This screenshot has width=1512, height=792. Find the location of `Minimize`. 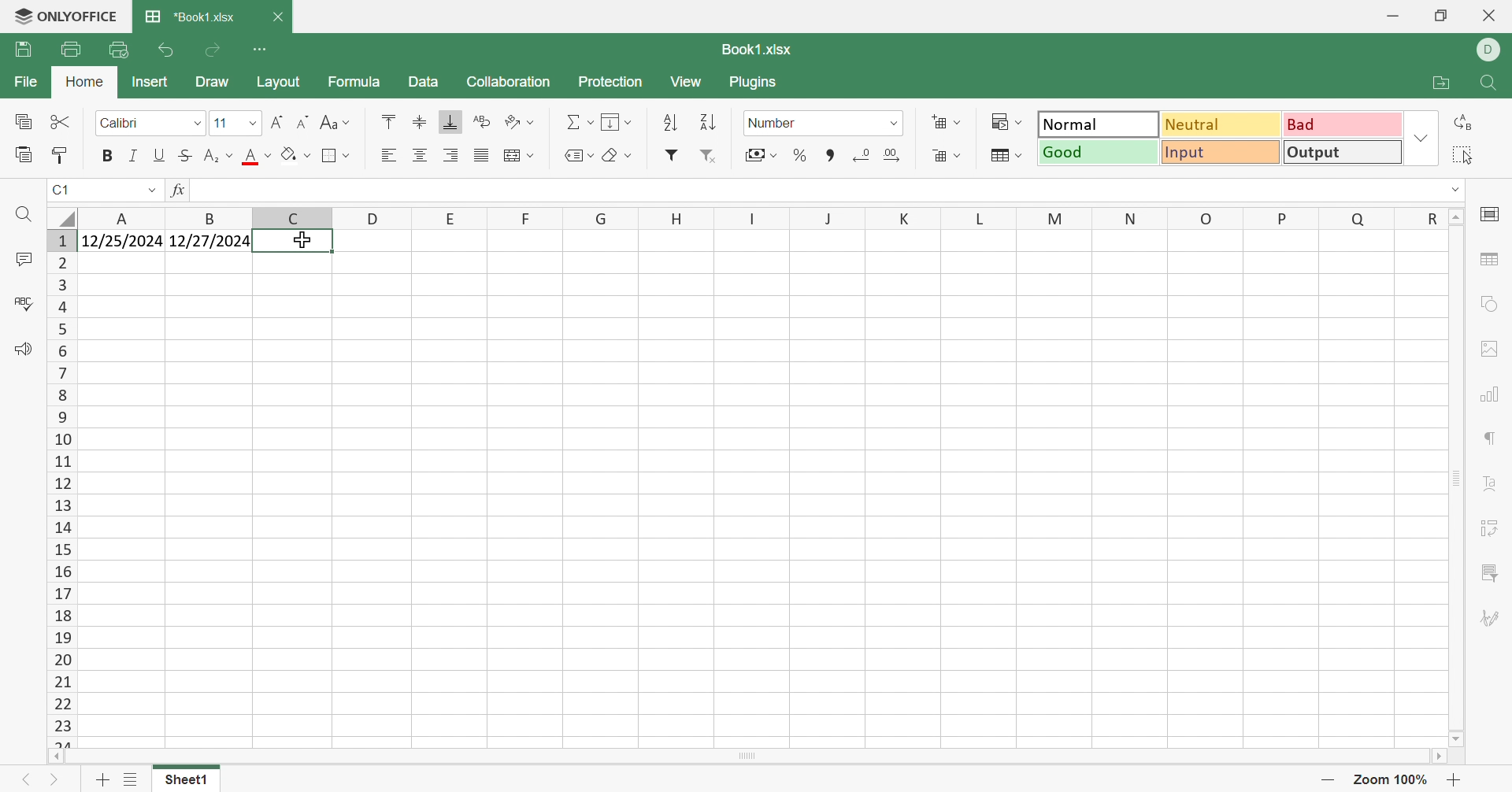

Minimize is located at coordinates (1392, 15).